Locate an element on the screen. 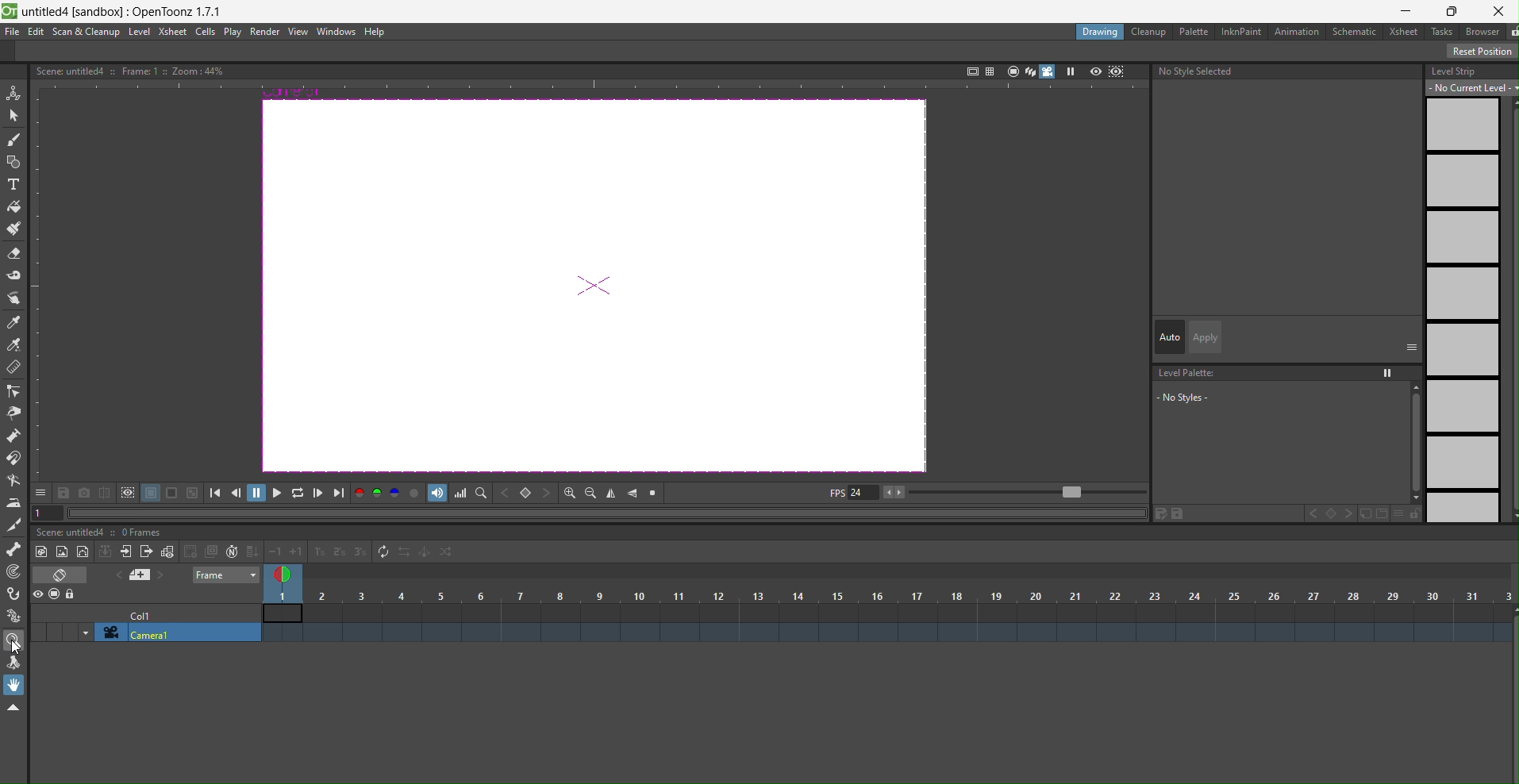 The image size is (1519, 784).  is located at coordinates (251, 552).